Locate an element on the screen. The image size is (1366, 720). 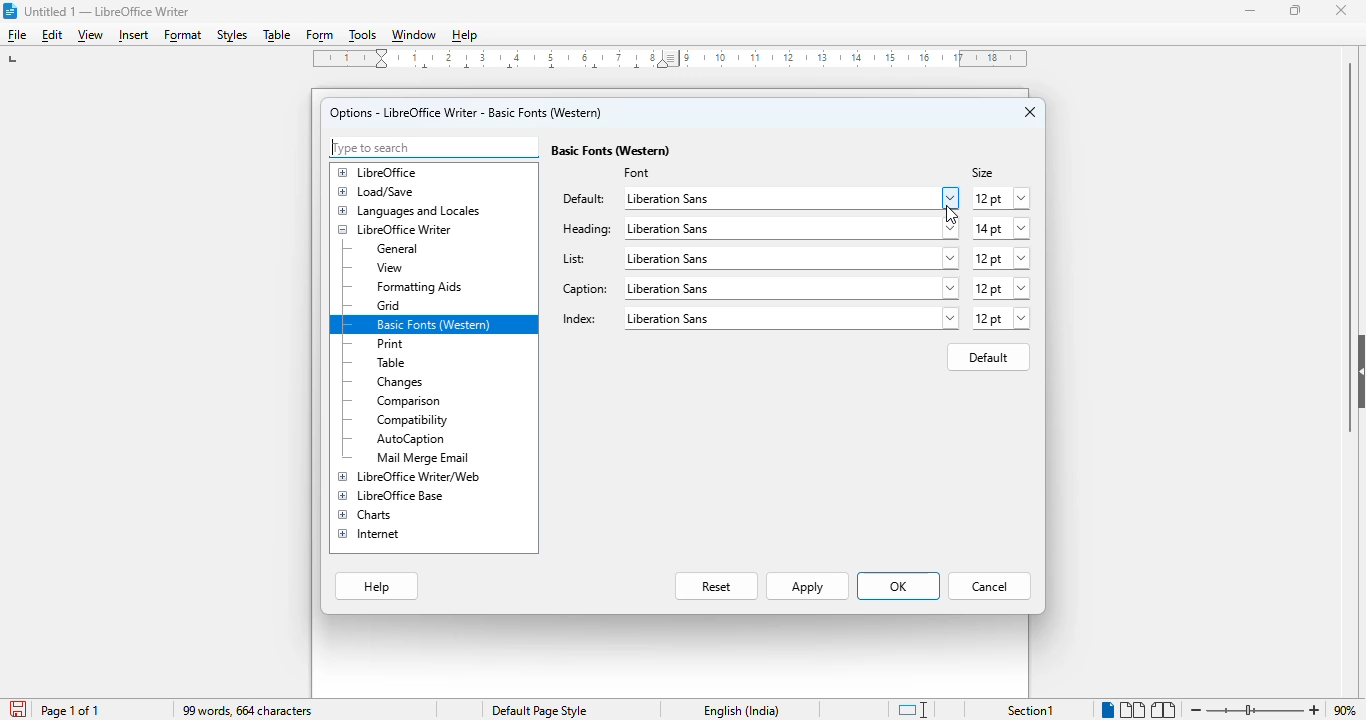
12 pt is located at coordinates (1000, 289).